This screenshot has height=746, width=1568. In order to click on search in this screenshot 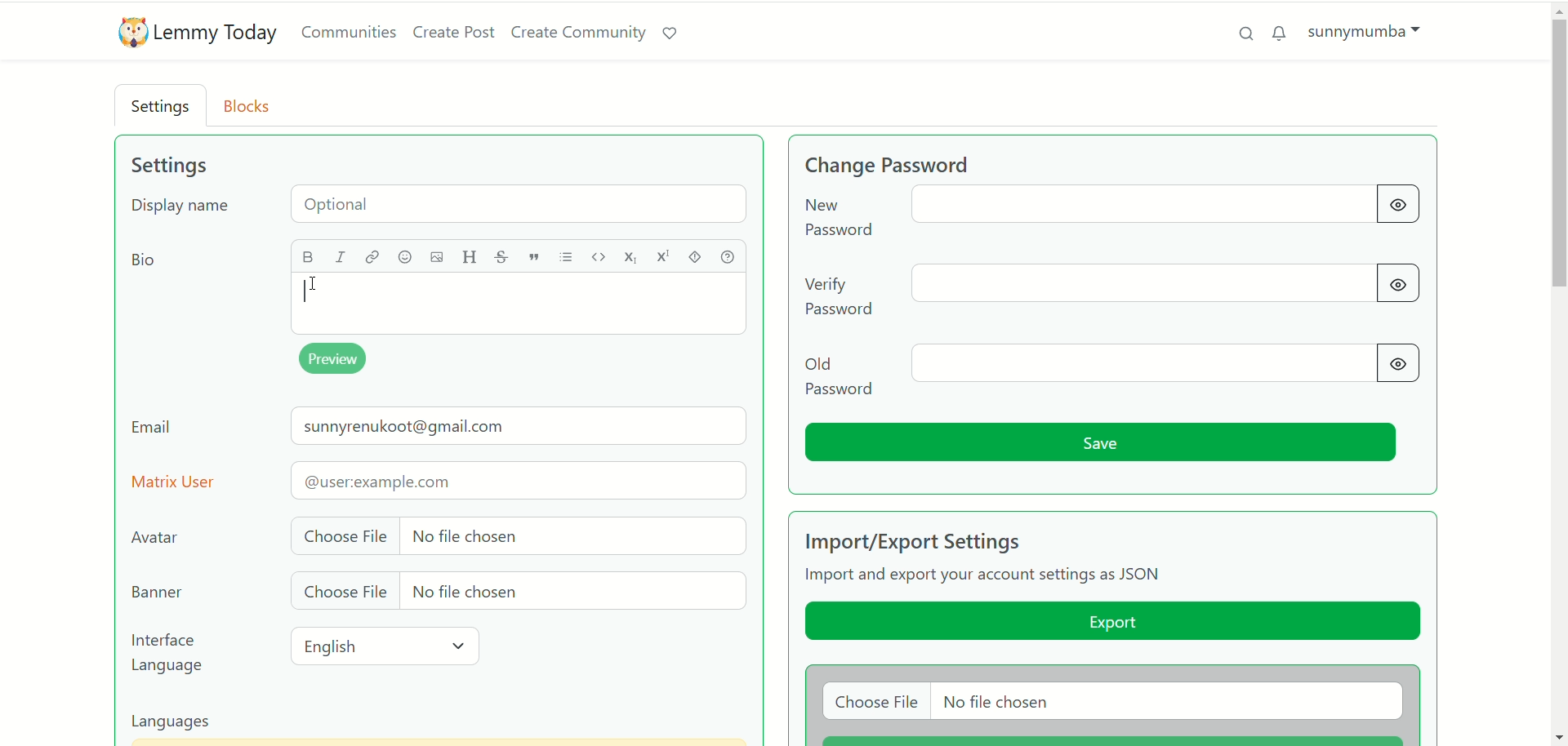, I will do `click(1241, 32)`.